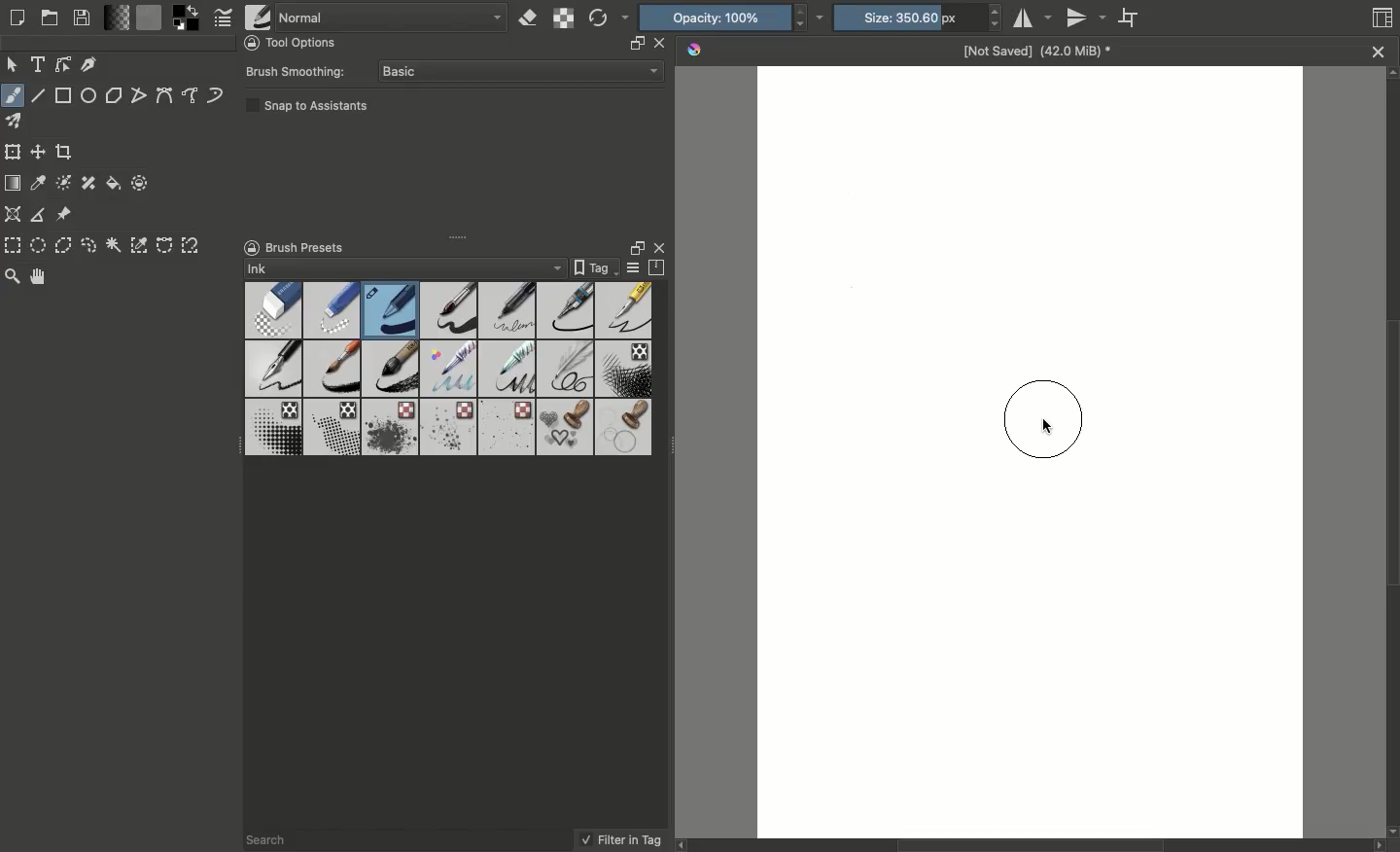 The image size is (1400, 852). What do you see at coordinates (39, 215) in the screenshot?
I see `Measure distance` at bounding box center [39, 215].